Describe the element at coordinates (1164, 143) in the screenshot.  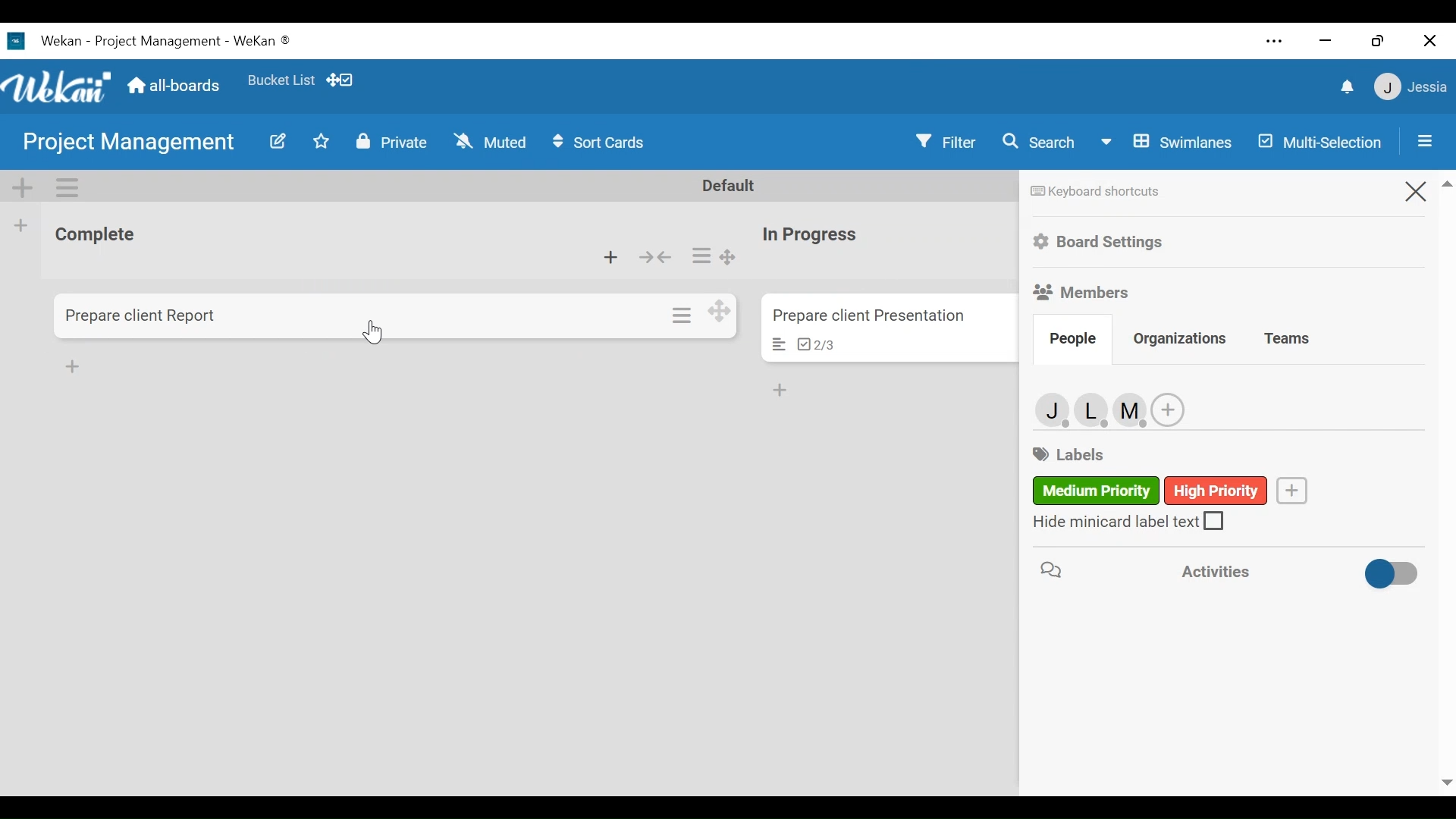
I see `Board View` at that location.